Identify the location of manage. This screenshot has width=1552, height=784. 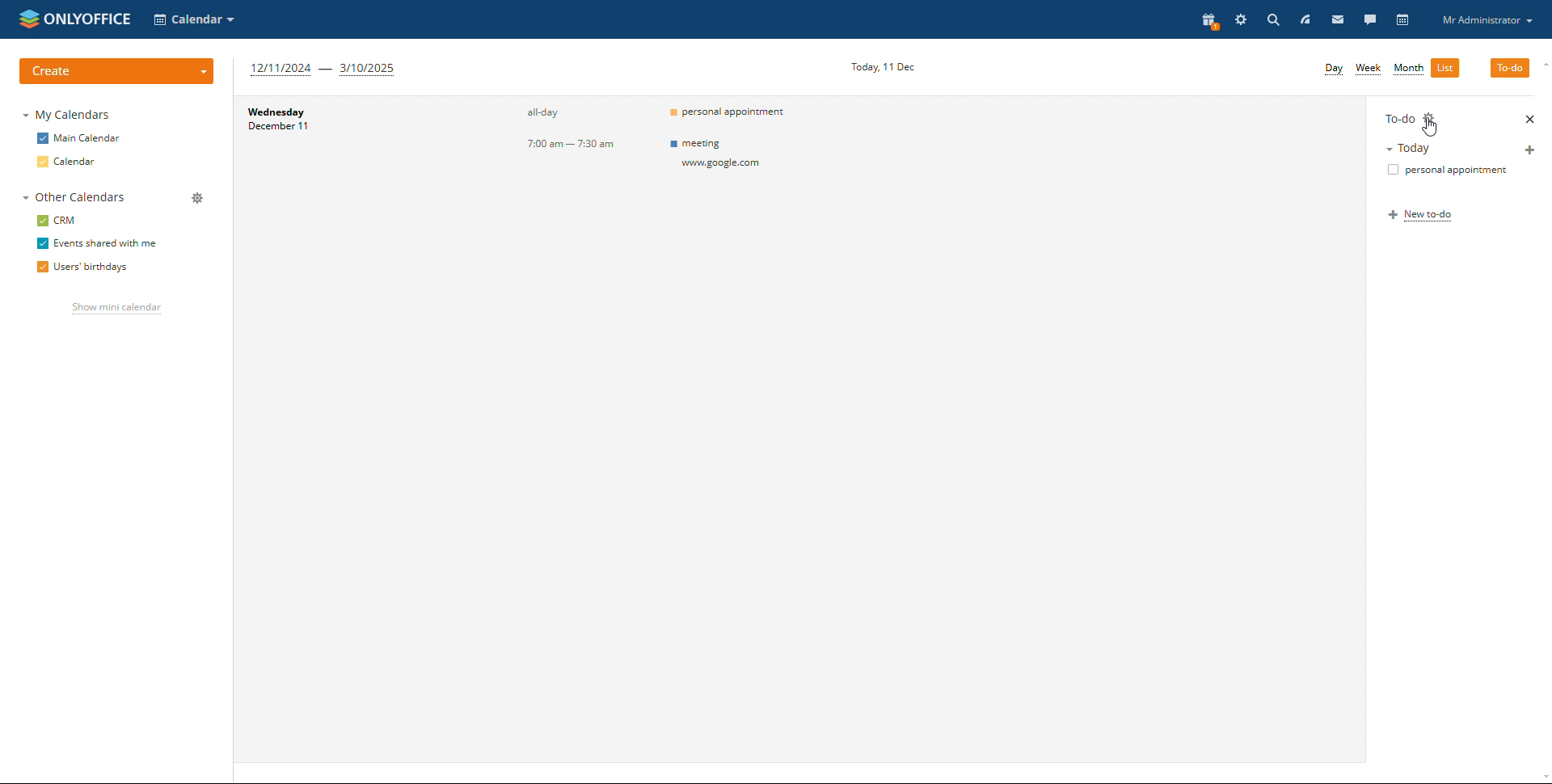
(197, 198).